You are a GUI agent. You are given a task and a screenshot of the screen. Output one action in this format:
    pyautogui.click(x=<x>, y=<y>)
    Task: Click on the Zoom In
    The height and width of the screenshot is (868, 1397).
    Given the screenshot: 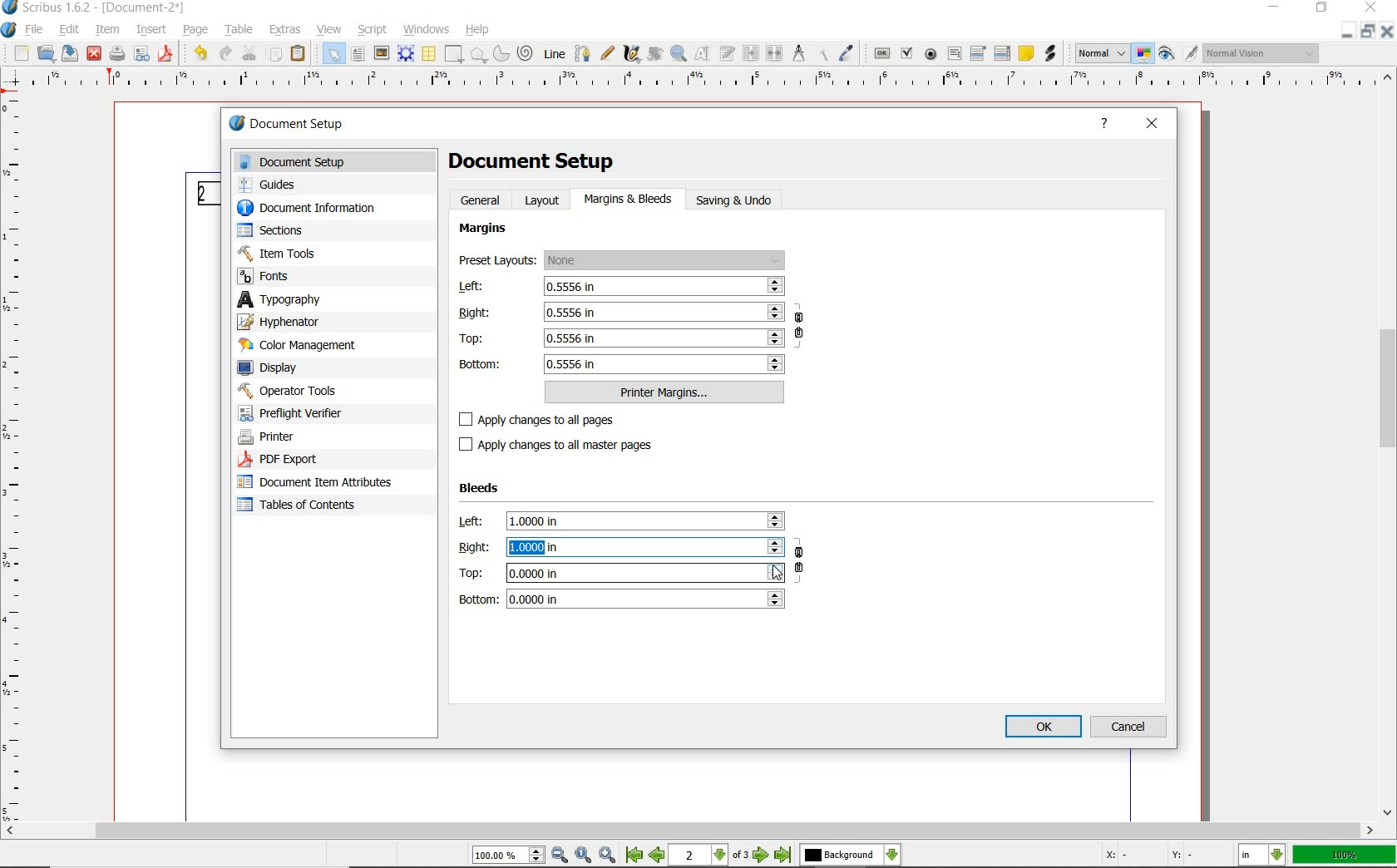 What is the action you would take?
    pyautogui.click(x=609, y=856)
    